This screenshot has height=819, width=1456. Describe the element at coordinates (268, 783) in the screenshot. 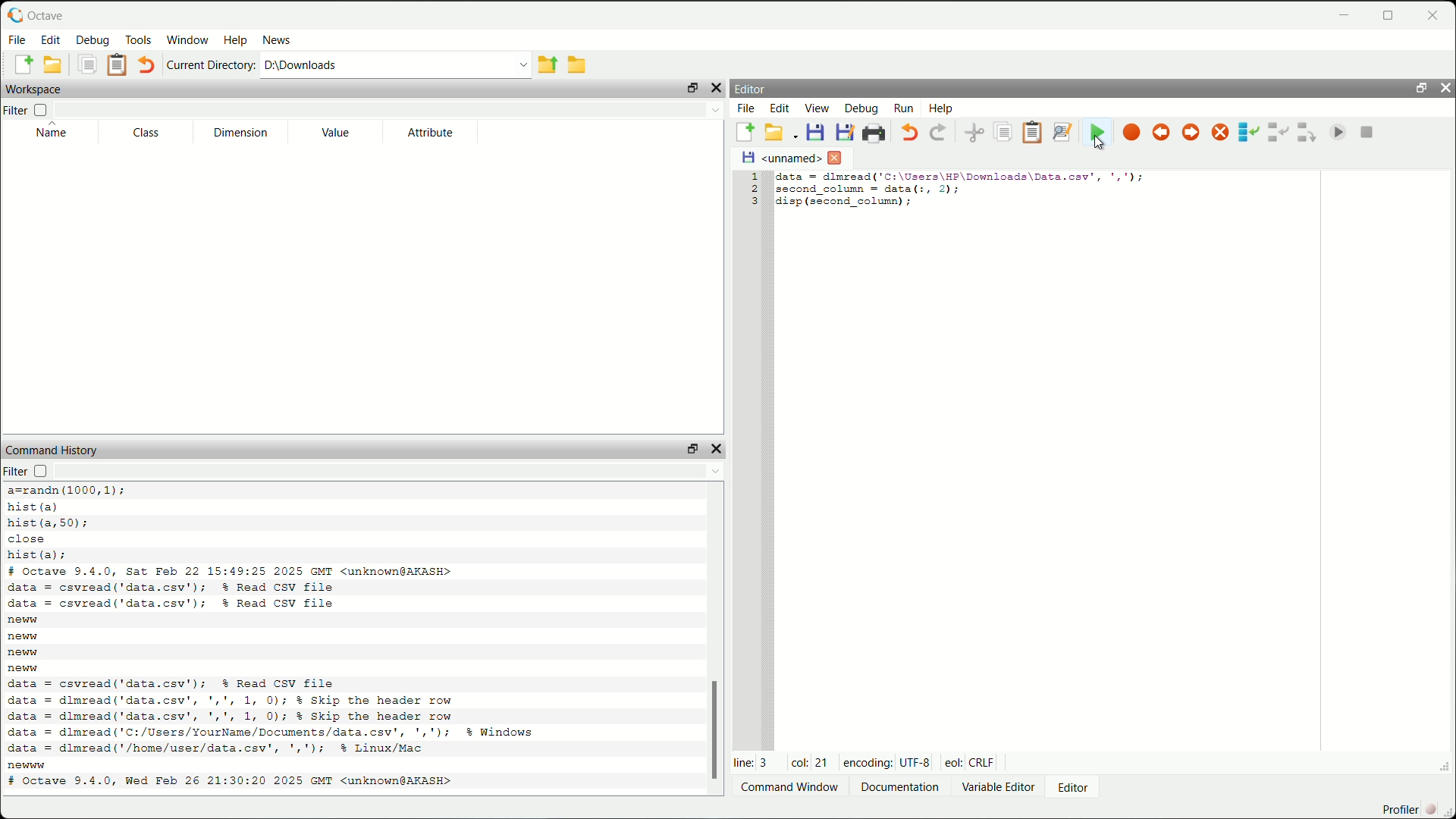

I see `octave version and date` at that location.